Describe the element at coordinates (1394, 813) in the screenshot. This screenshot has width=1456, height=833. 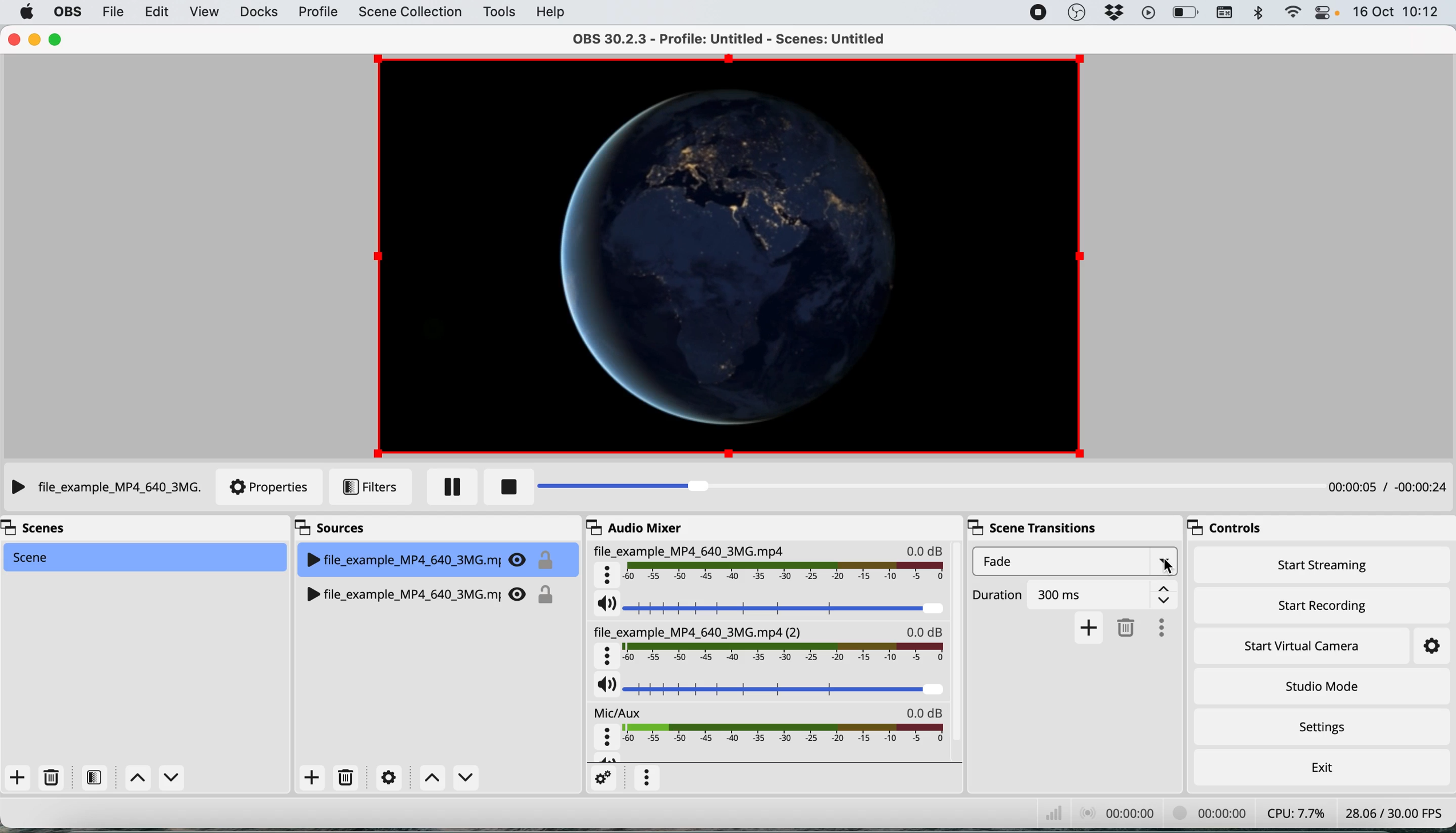
I see `28.06 /30.00 FPS` at that location.